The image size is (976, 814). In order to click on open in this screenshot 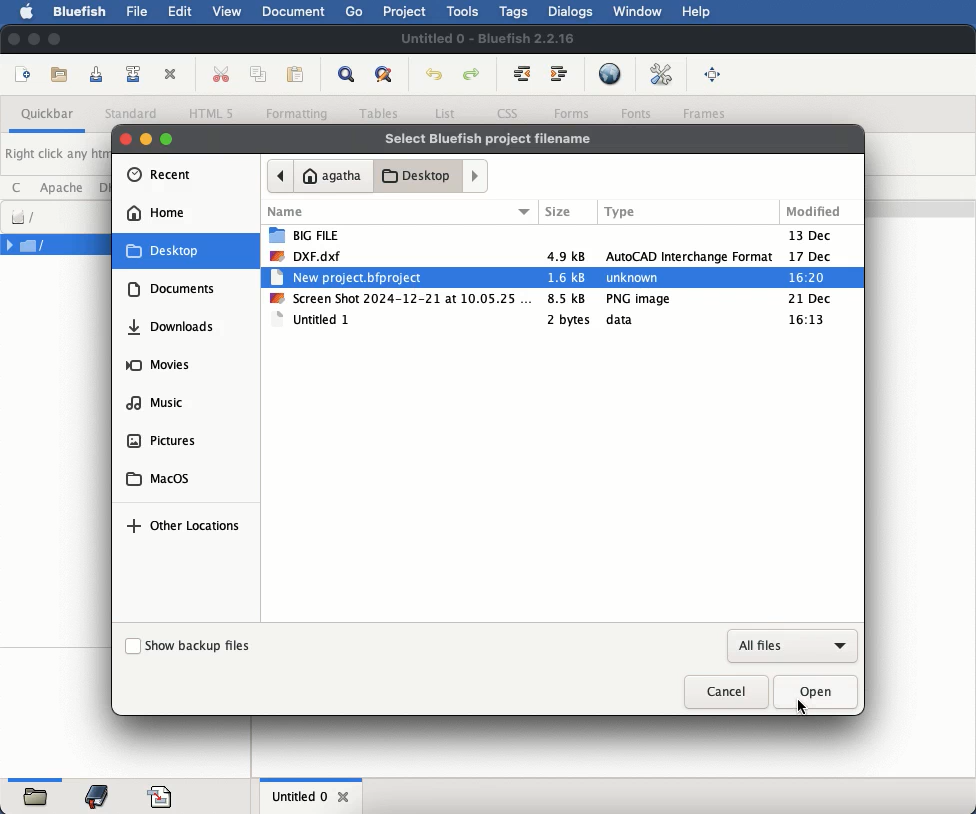, I will do `click(816, 689)`.